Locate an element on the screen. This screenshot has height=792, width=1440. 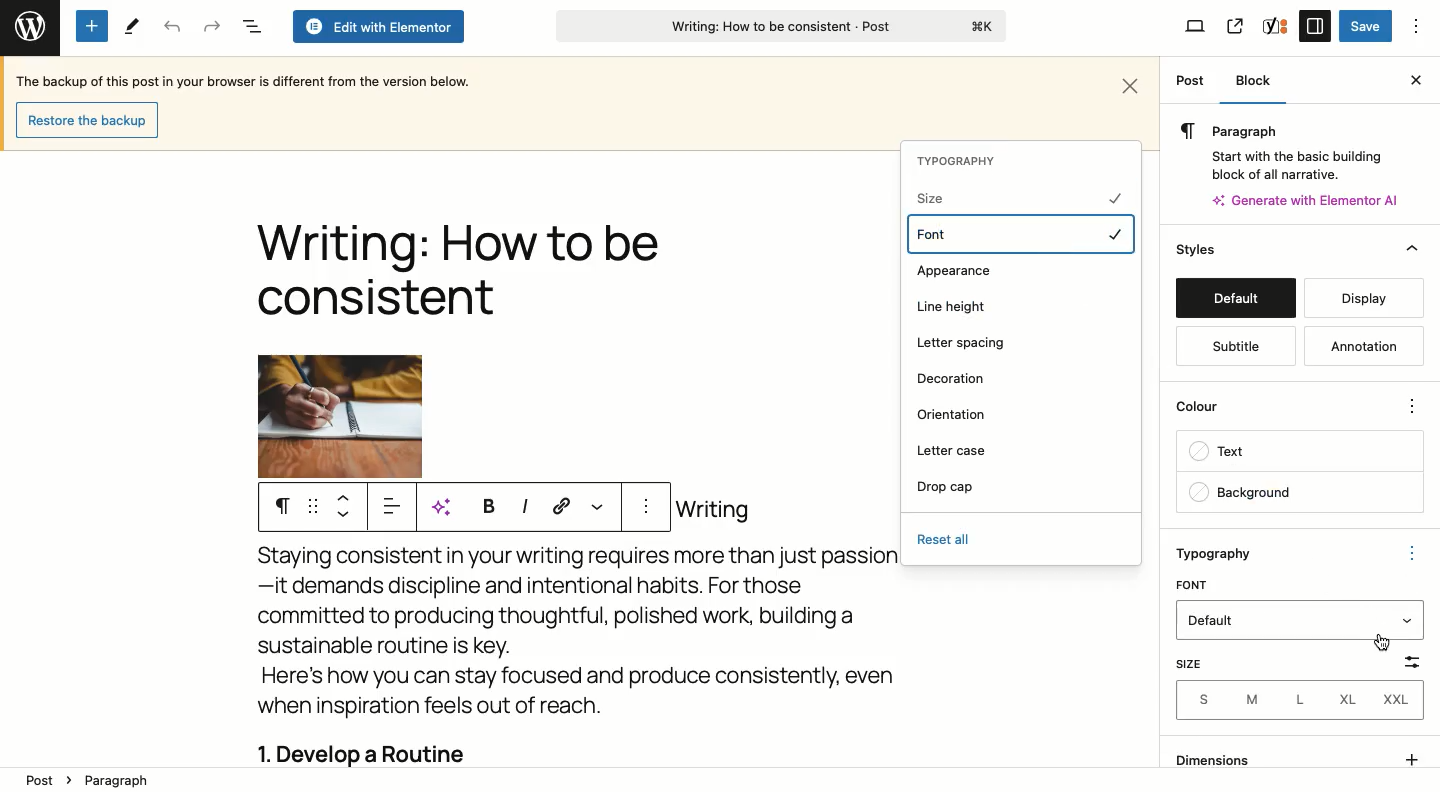
Options is located at coordinates (1417, 26).